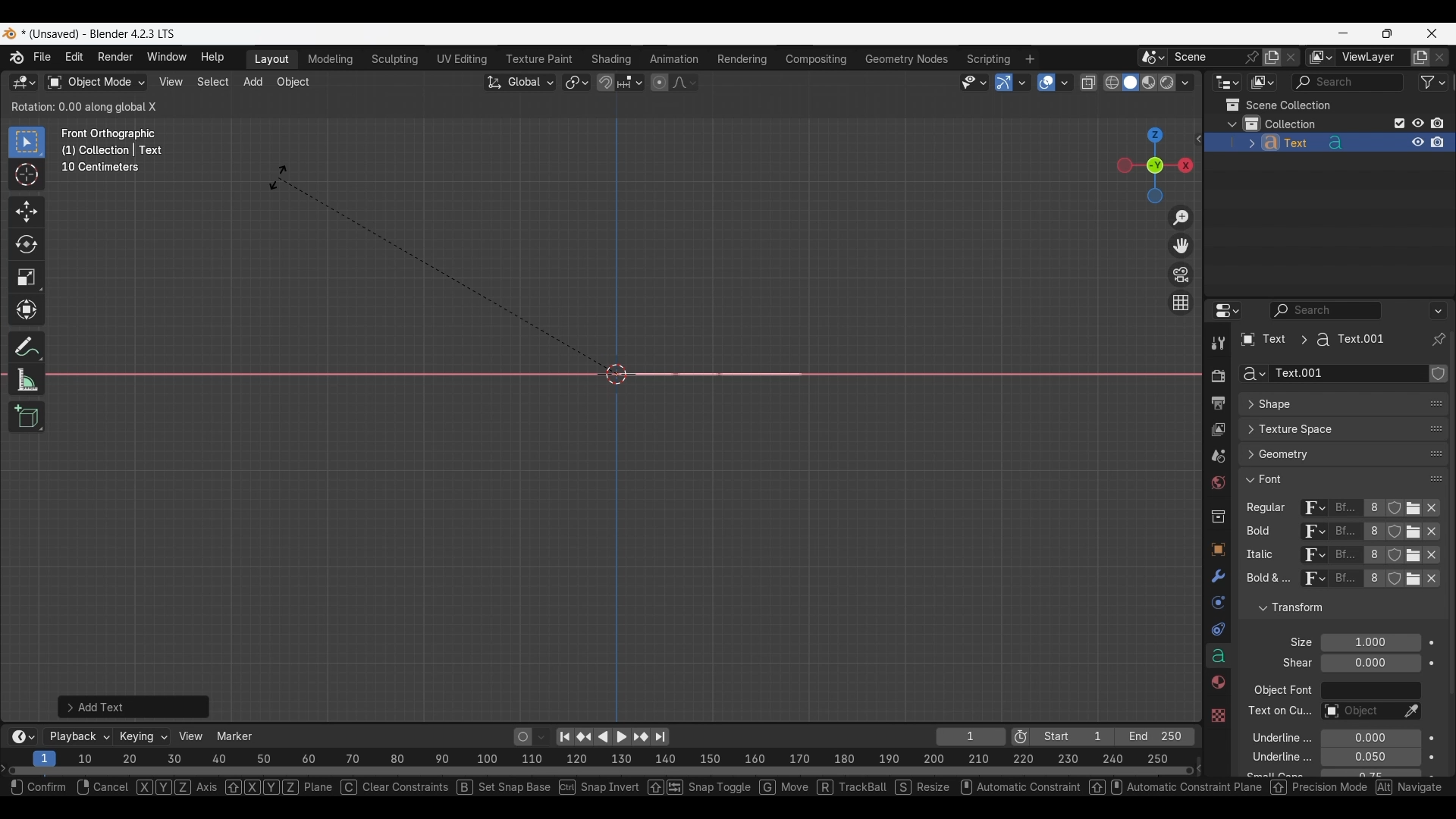 The width and height of the screenshot is (1456, 819). What do you see at coordinates (1216, 57) in the screenshot?
I see `Pin scene to workspace` at bounding box center [1216, 57].